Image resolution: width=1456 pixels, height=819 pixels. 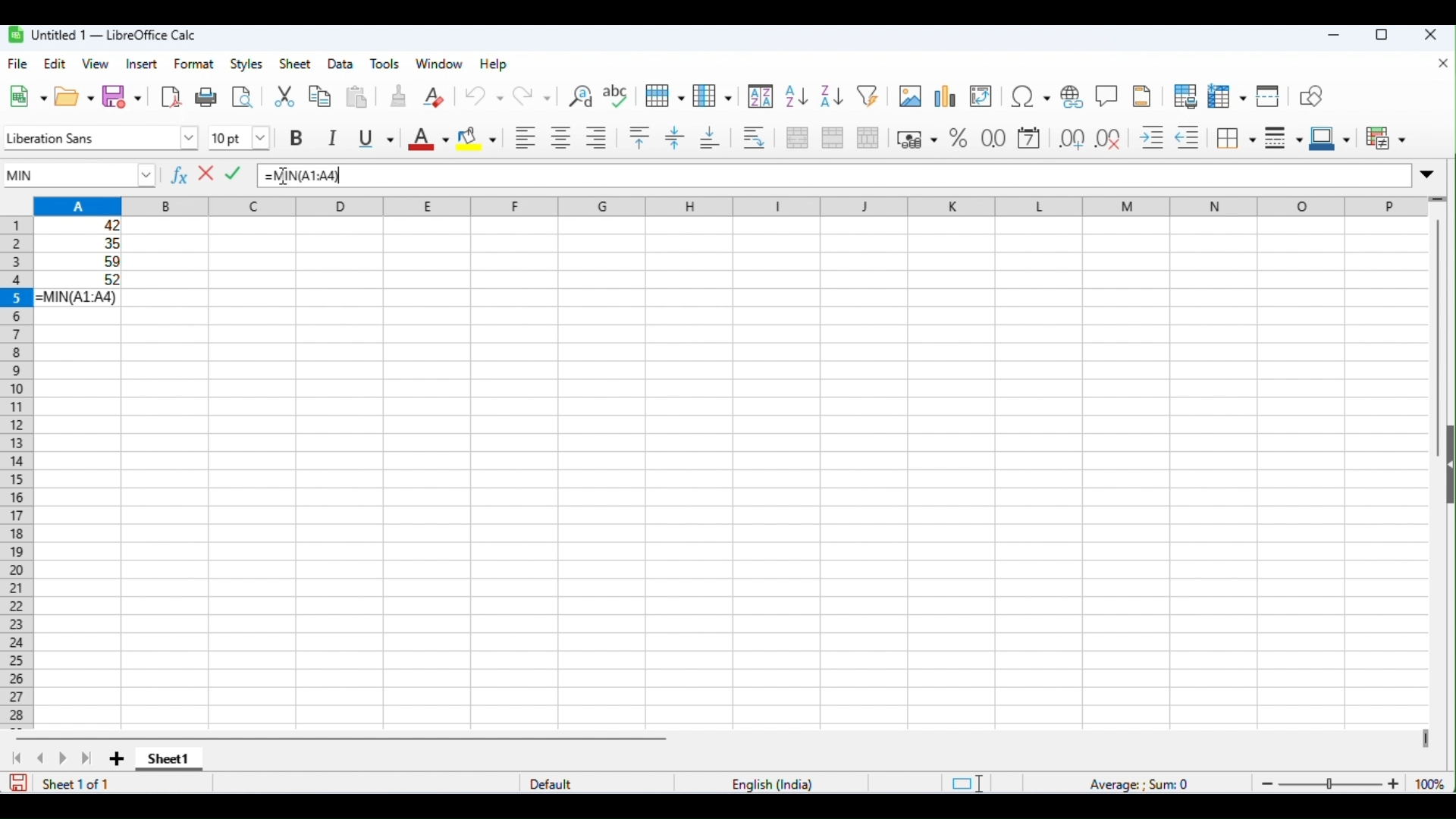 I want to click on function wizard, so click(x=181, y=177).